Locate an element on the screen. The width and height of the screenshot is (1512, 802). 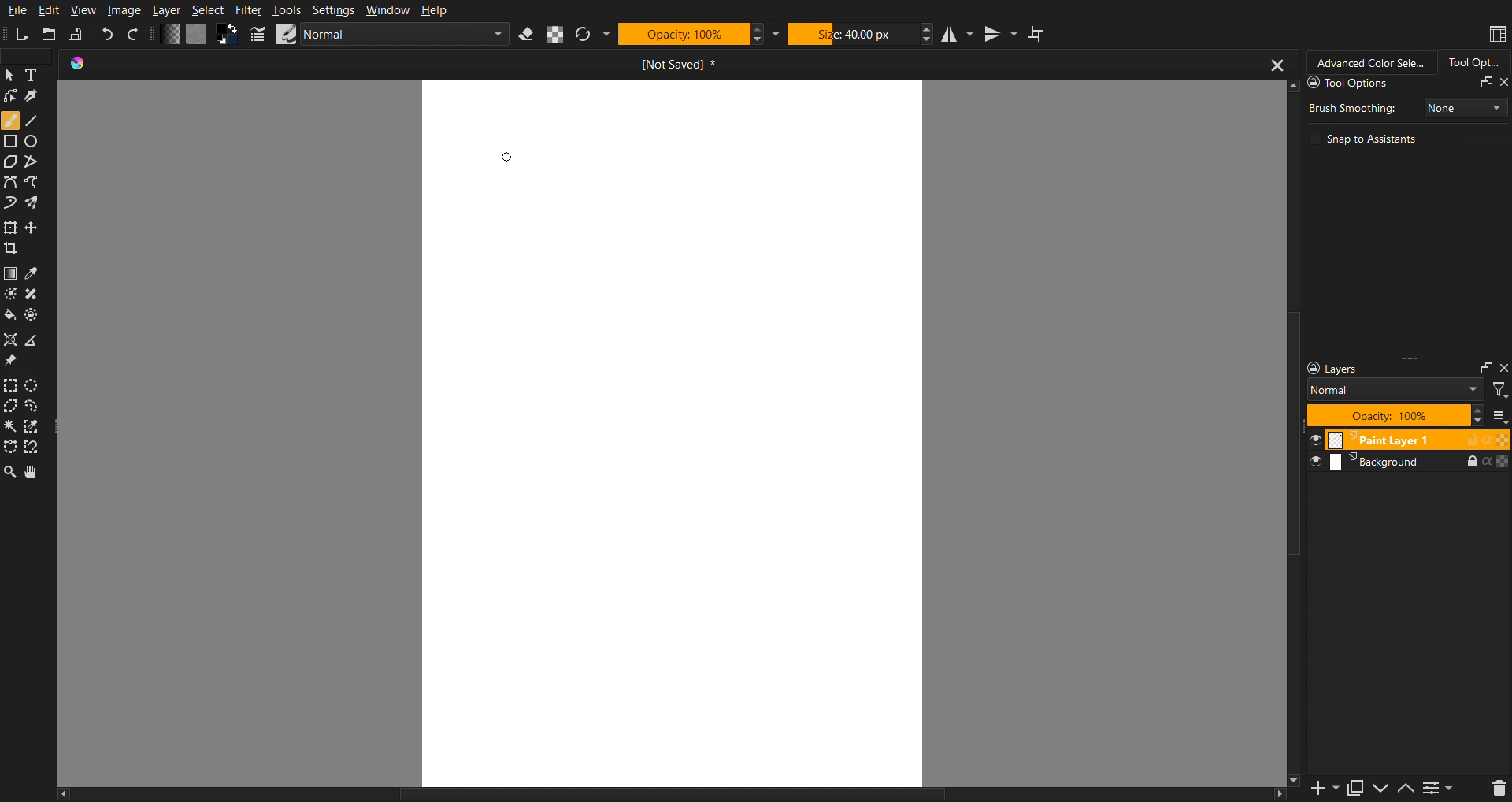
Scrollbar is located at coordinates (1289, 434).